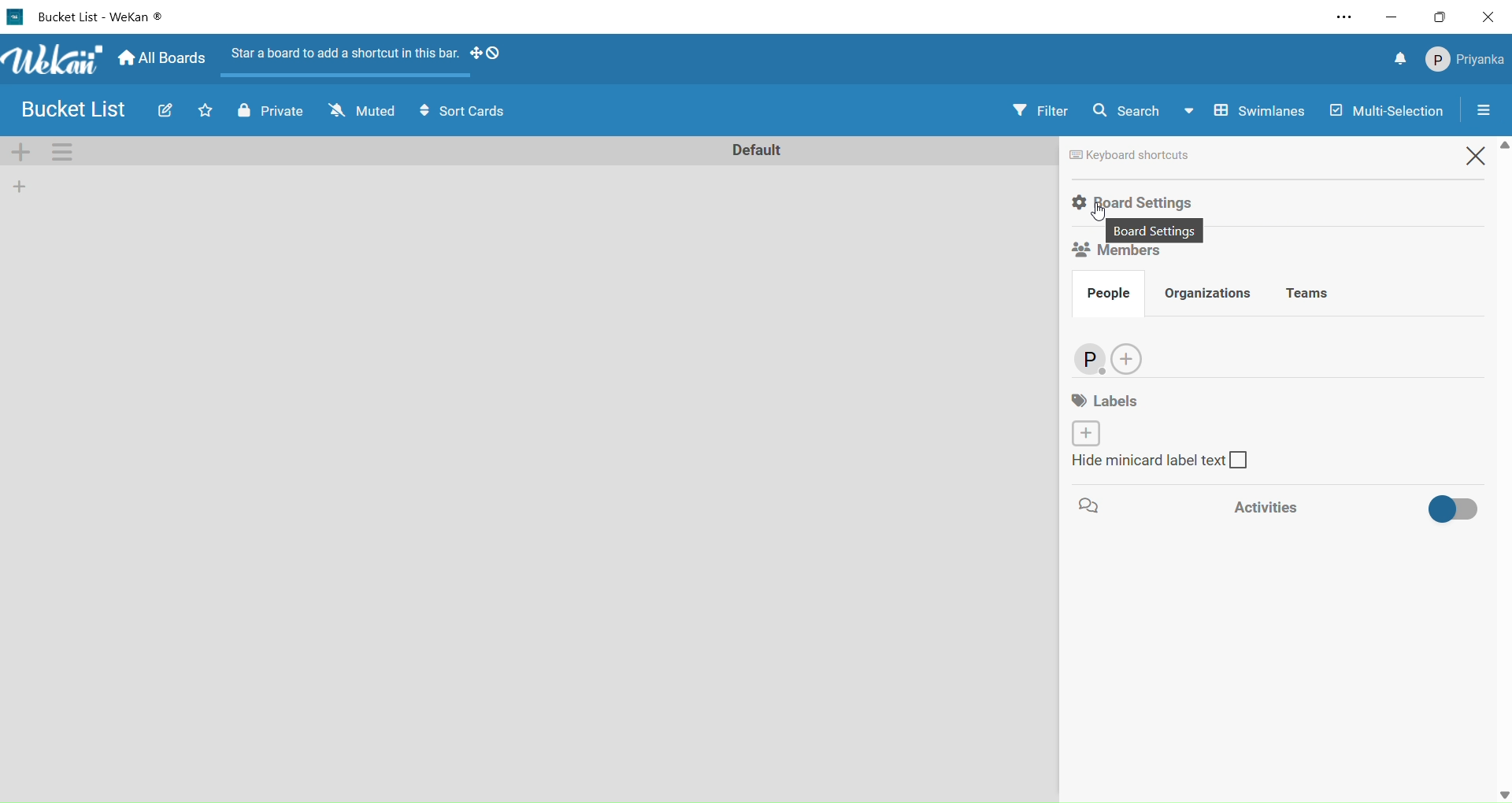  Describe the element at coordinates (1132, 360) in the screenshot. I see `add members` at that location.